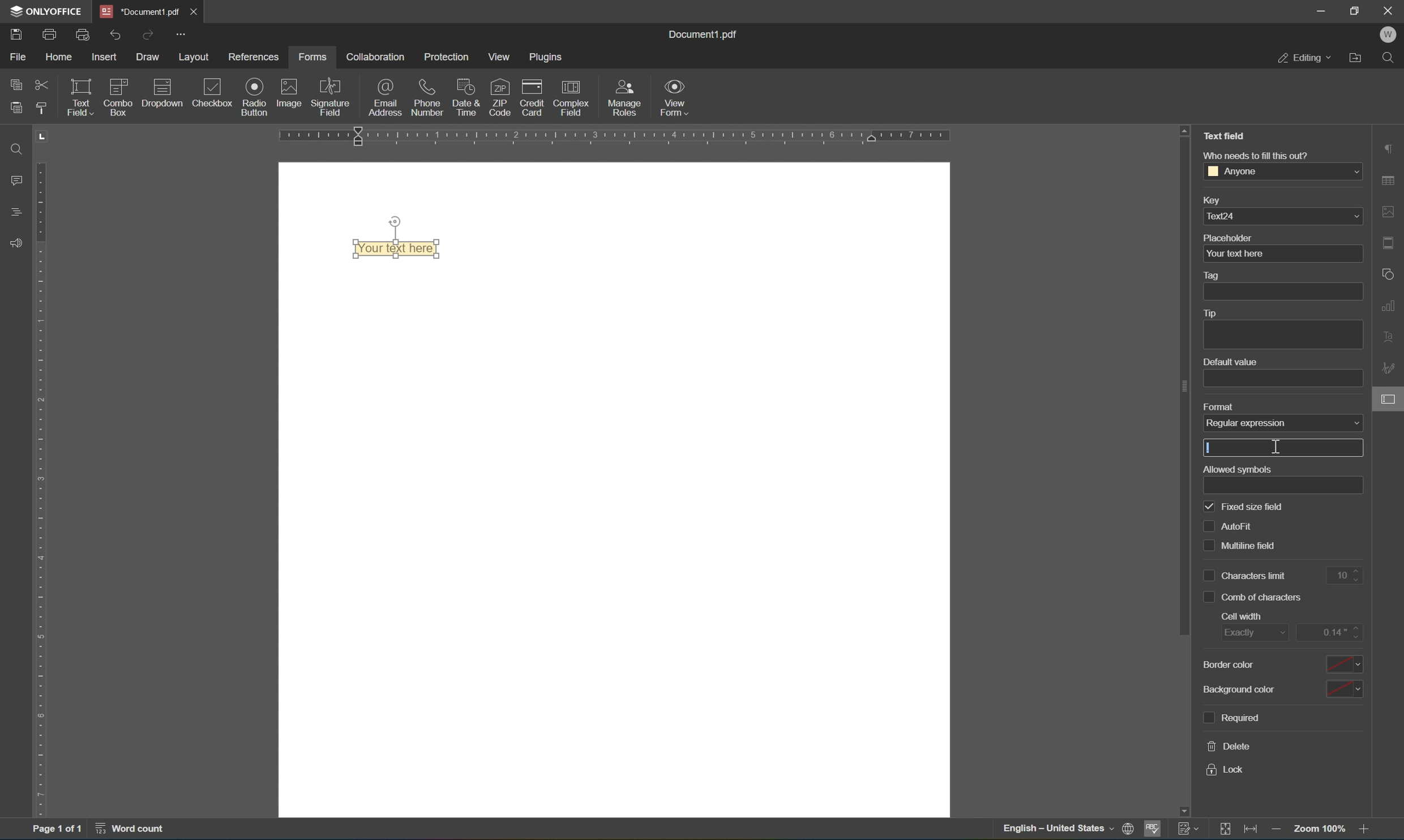 The width and height of the screenshot is (1404, 840). What do you see at coordinates (1230, 746) in the screenshot?
I see `delete` at bounding box center [1230, 746].